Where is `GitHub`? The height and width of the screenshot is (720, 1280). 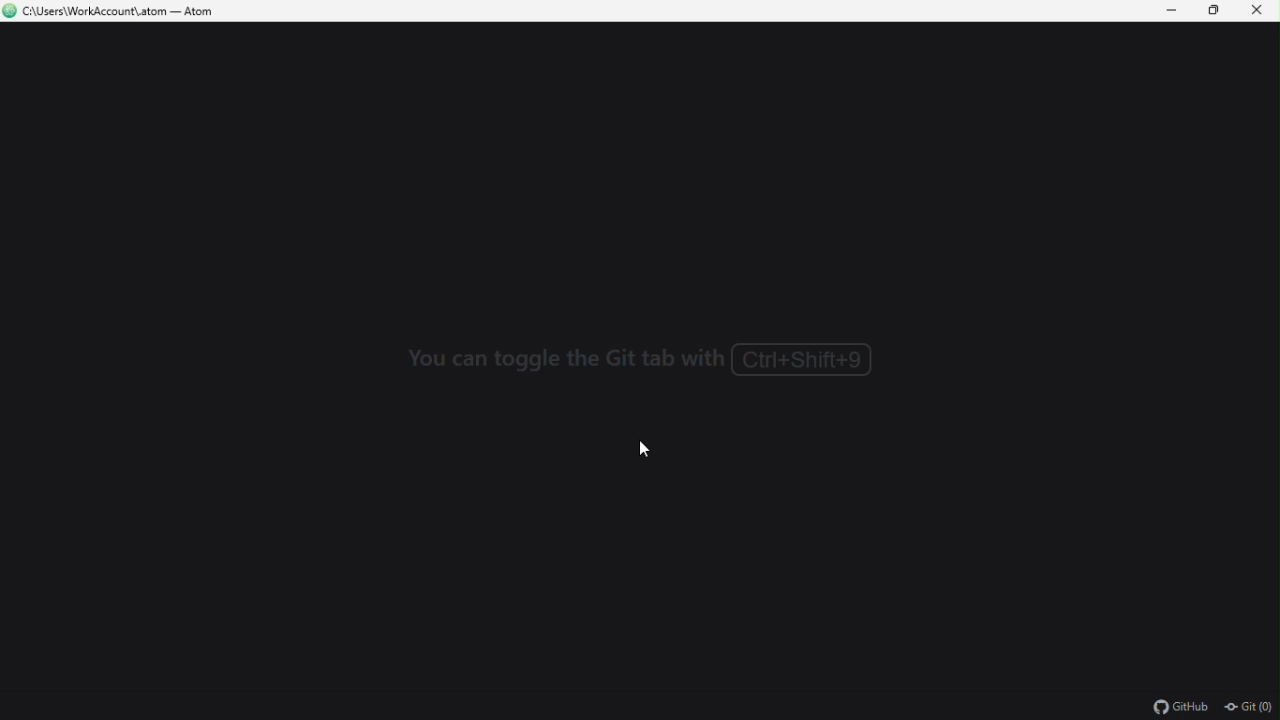
GitHub is located at coordinates (1180, 705).